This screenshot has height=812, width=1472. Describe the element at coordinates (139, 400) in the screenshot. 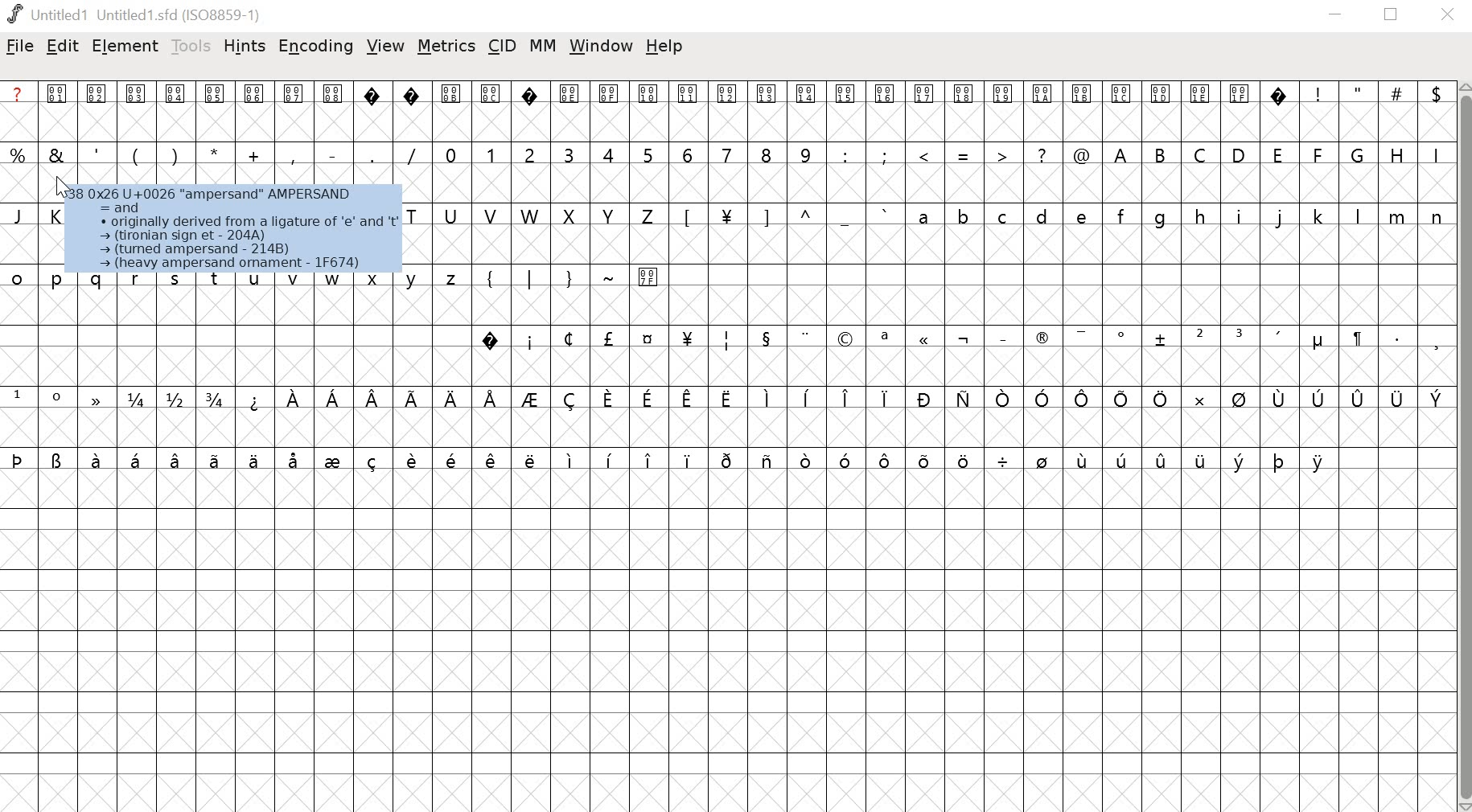

I see `1/4` at that location.